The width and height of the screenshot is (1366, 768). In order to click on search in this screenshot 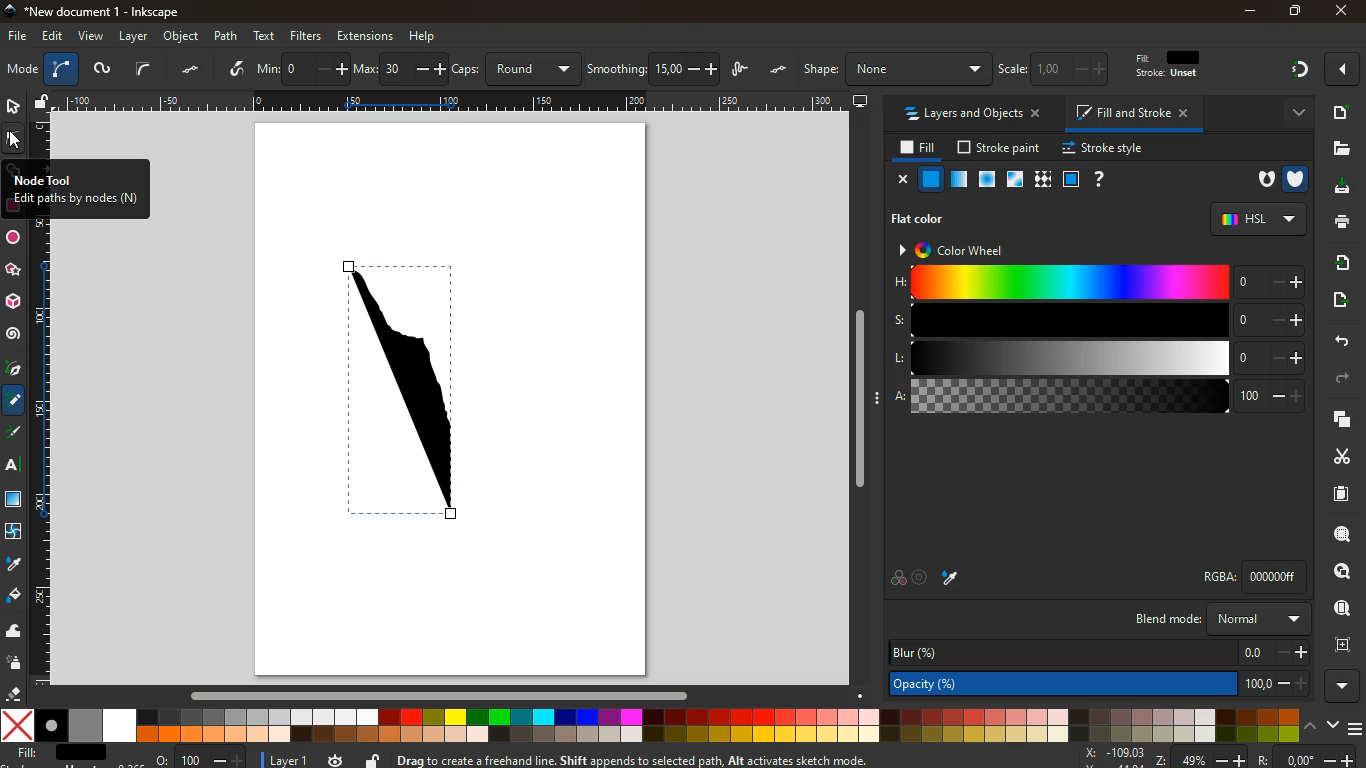, I will do `click(1338, 534)`.